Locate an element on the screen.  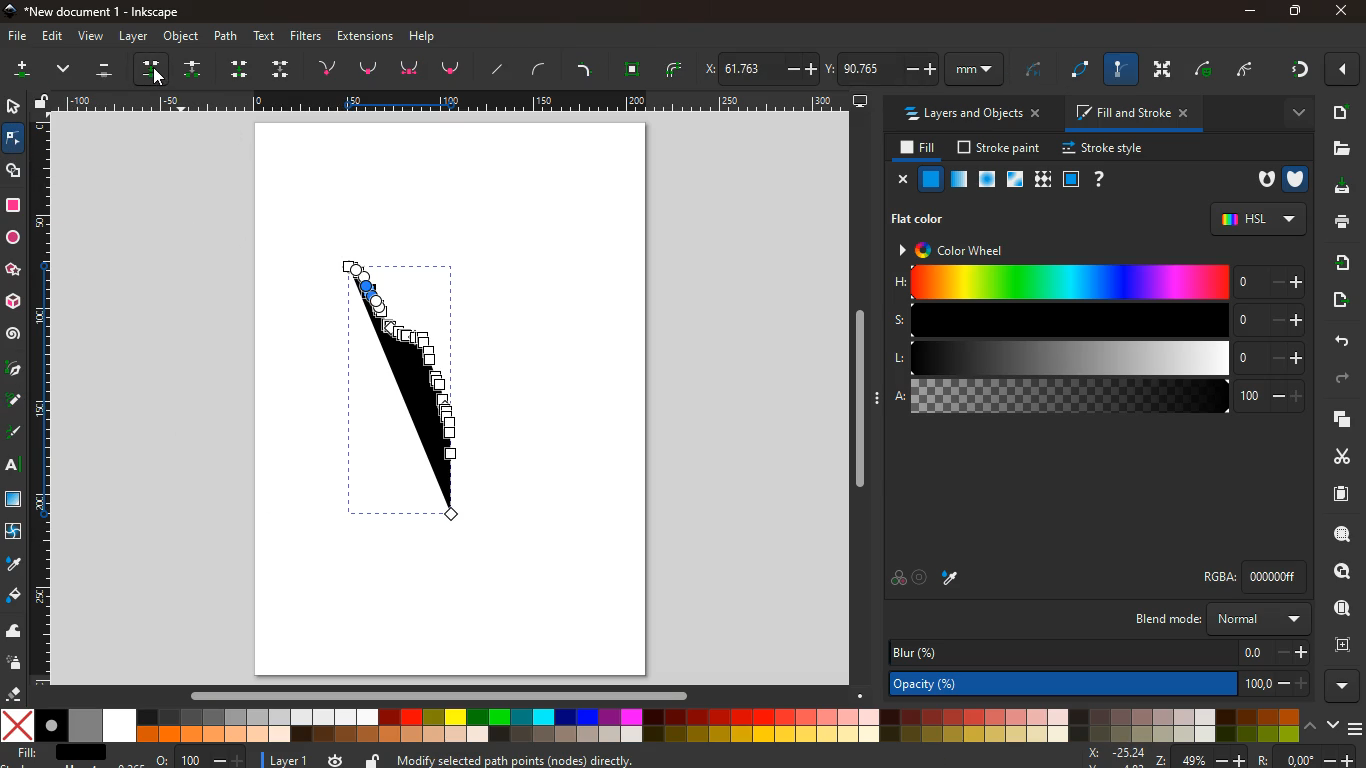
hole is located at coordinates (1262, 181).